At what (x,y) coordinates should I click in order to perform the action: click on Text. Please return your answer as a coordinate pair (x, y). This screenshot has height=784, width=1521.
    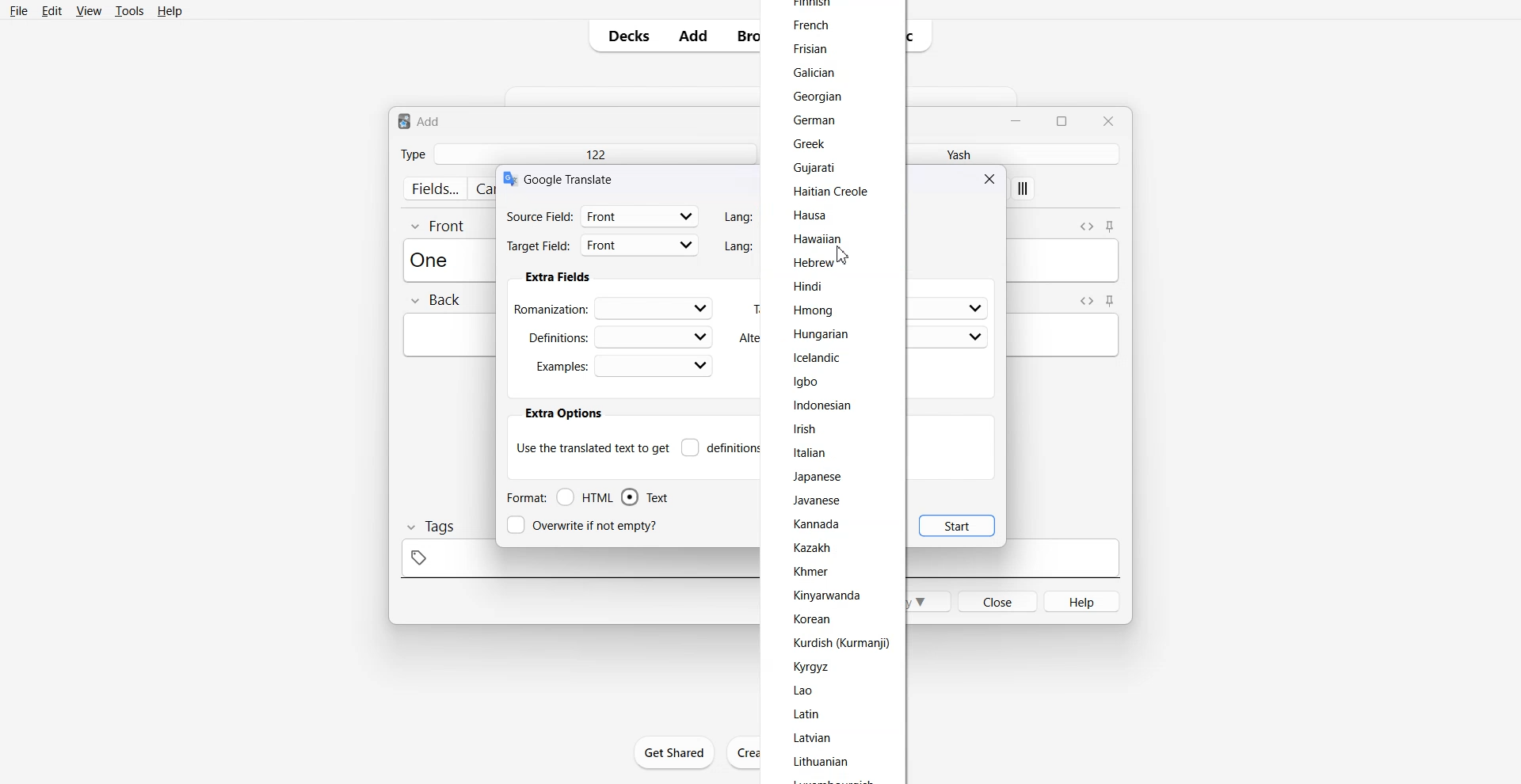
    Looking at the image, I should click on (571, 178).